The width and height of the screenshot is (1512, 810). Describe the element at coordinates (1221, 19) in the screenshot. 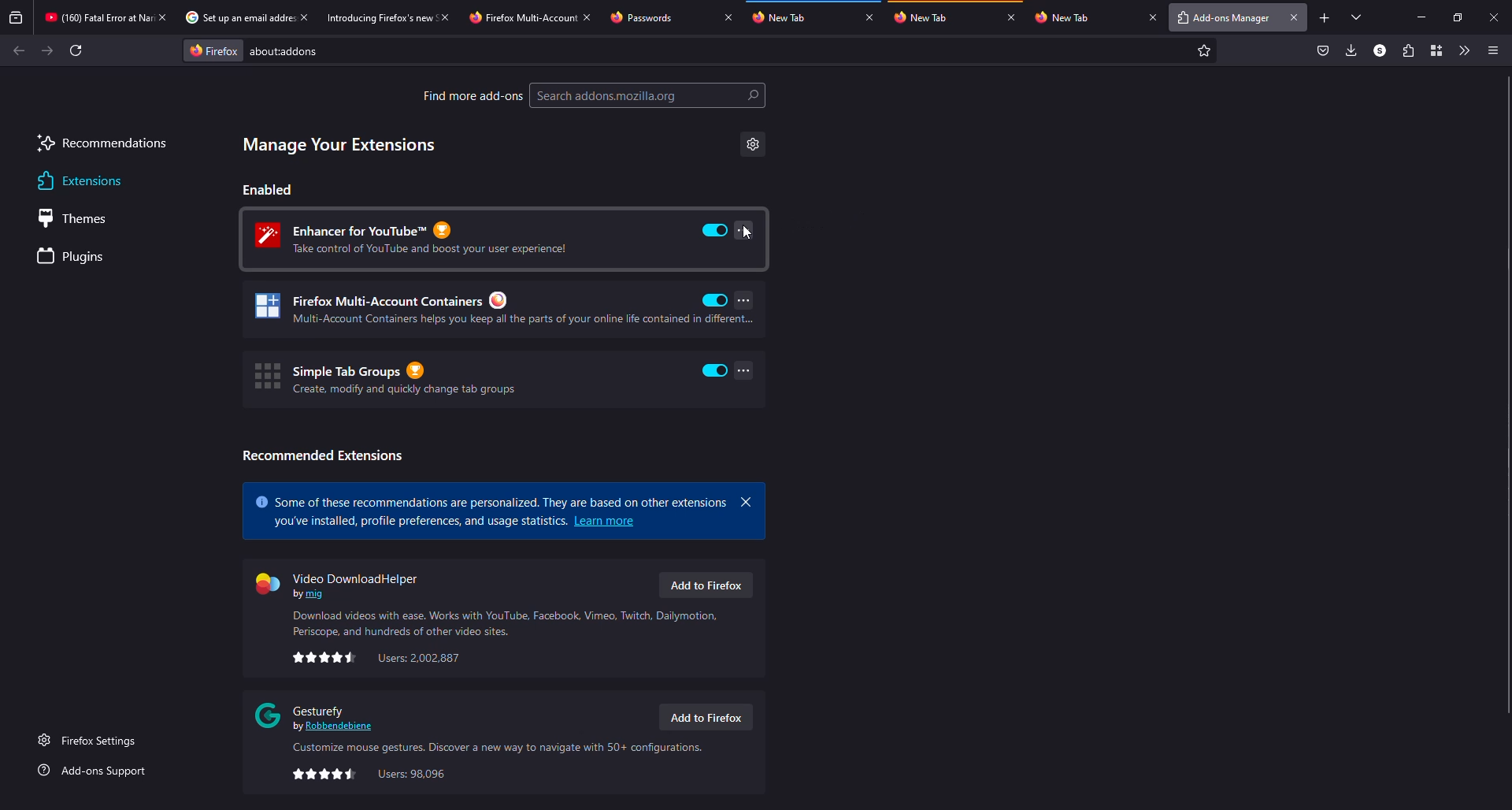

I see `add-ons manager` at that location.